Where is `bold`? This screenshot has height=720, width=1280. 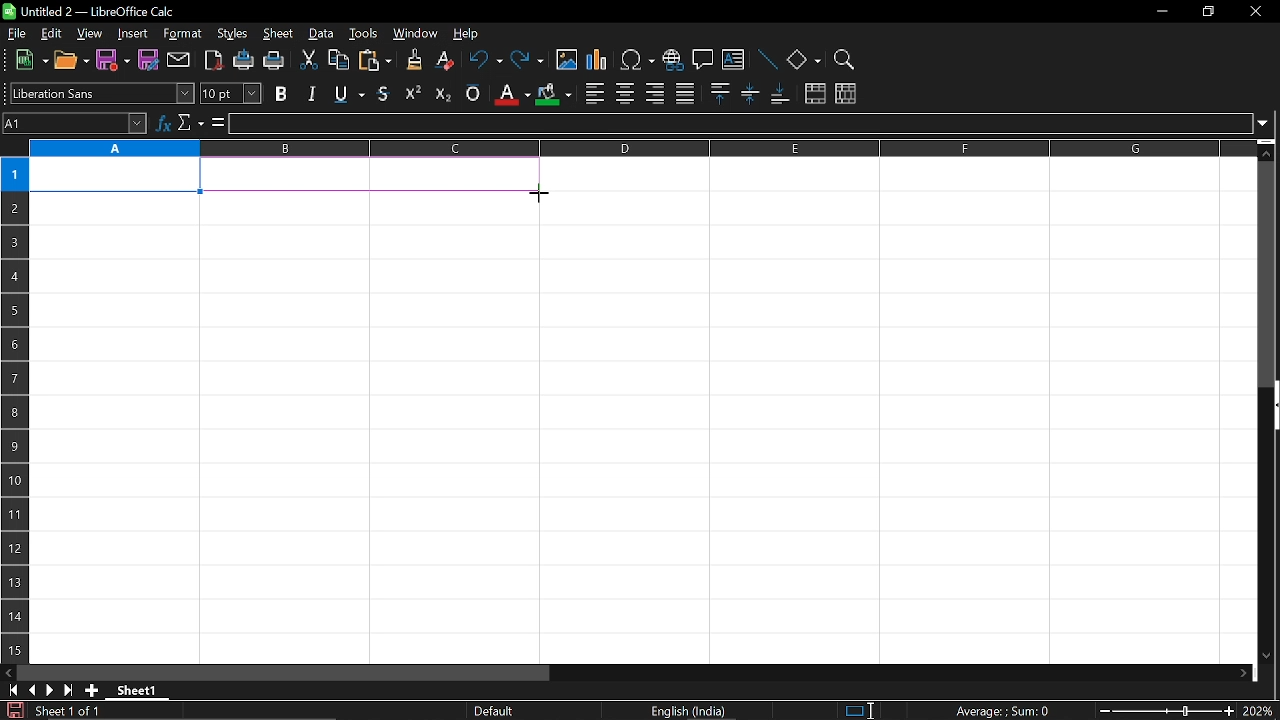 bold is located at coordinates (281, 94).